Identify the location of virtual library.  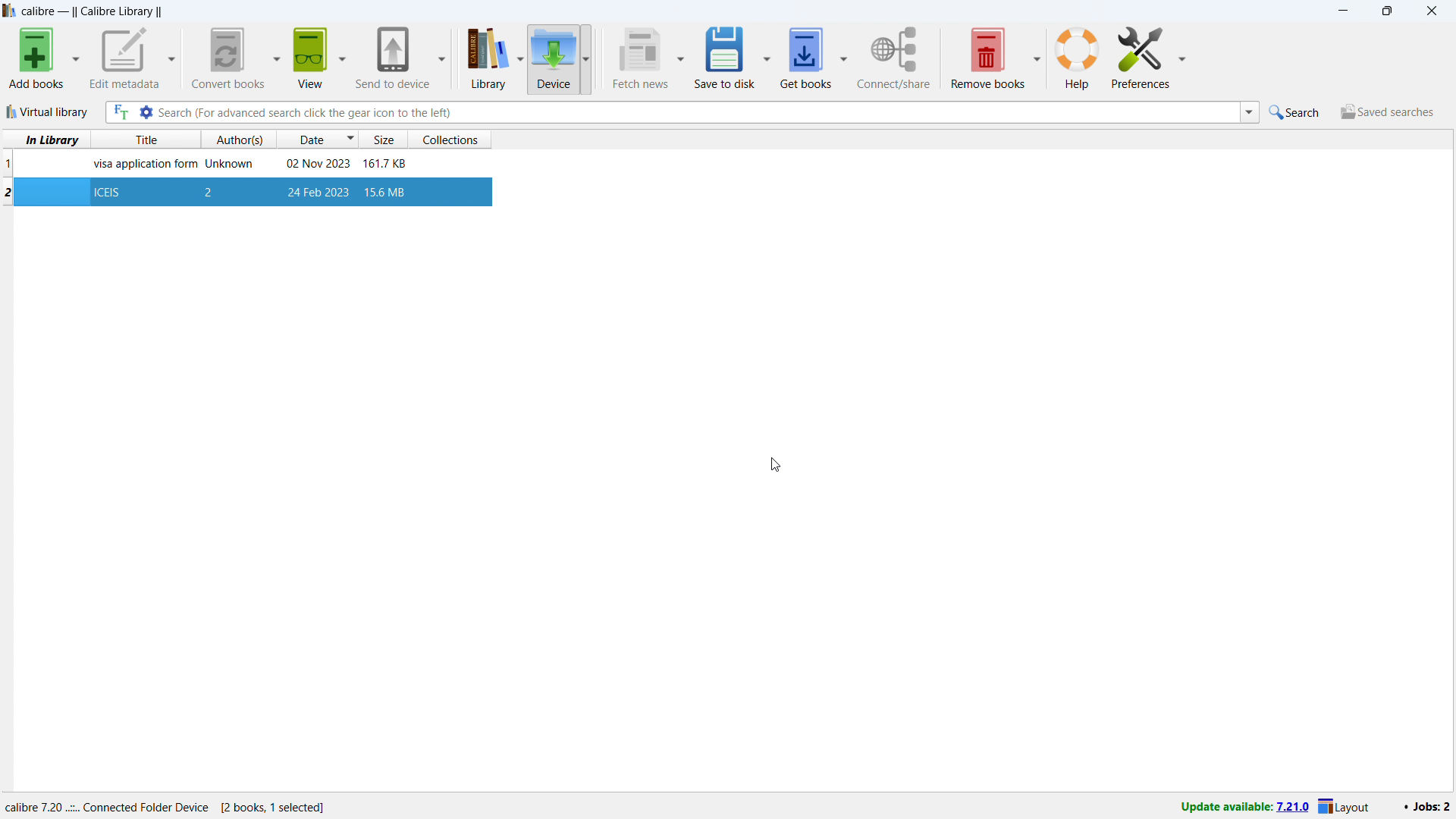
(48, 111).